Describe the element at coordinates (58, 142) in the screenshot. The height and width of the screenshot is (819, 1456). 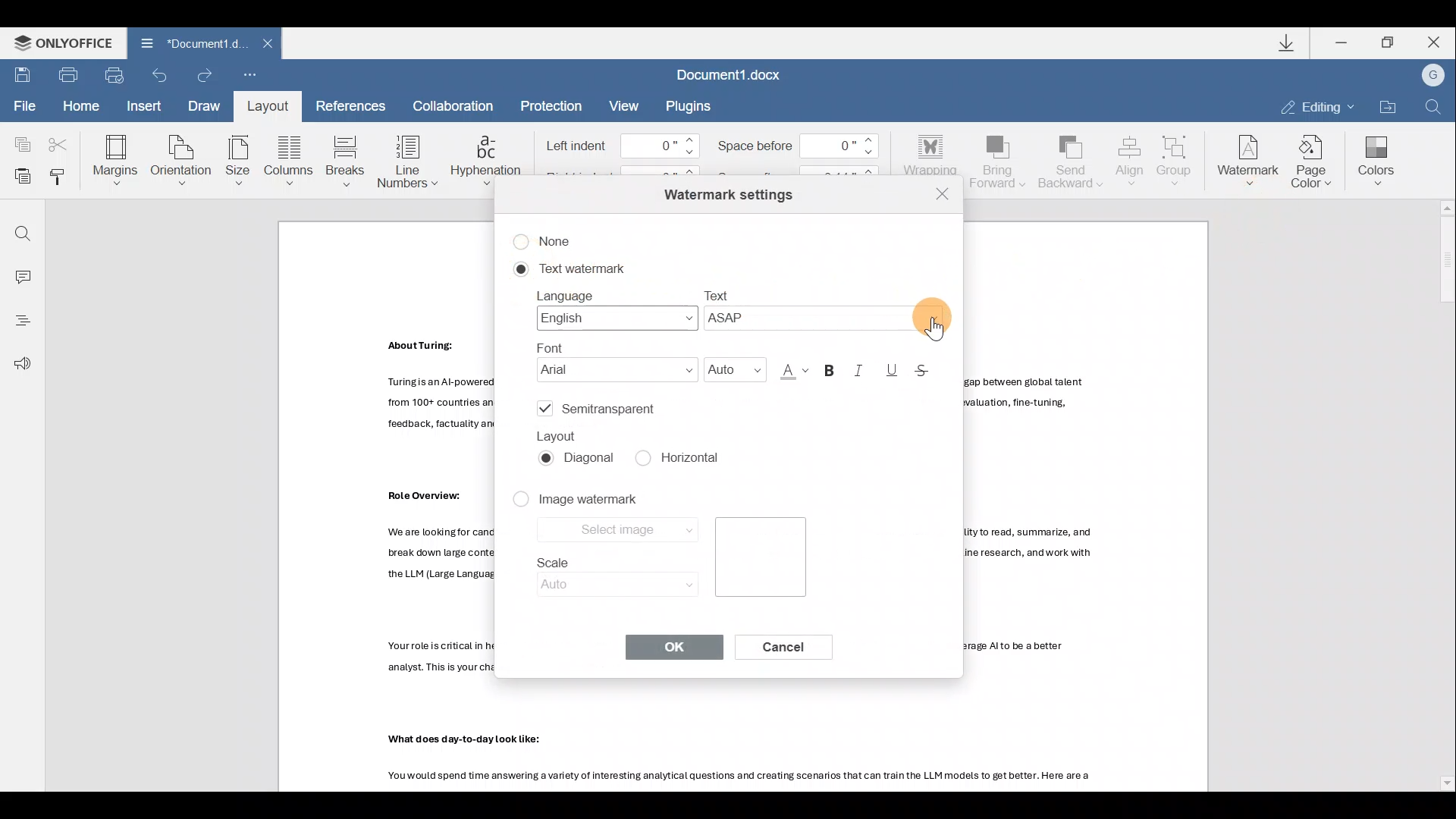
I see `Cut` at that location.